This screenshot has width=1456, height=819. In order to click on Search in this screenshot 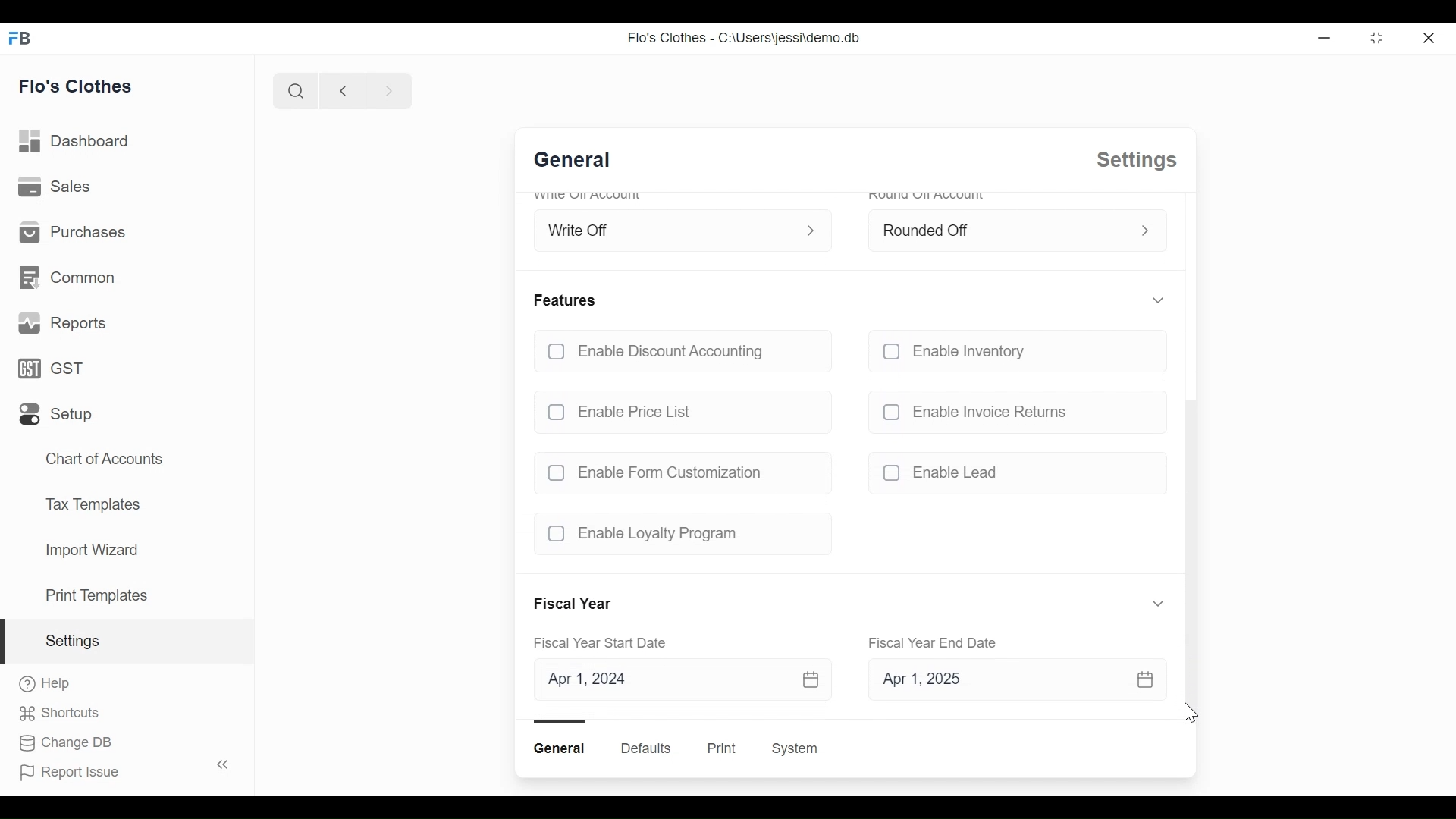, I will do `click(293, 91)`.